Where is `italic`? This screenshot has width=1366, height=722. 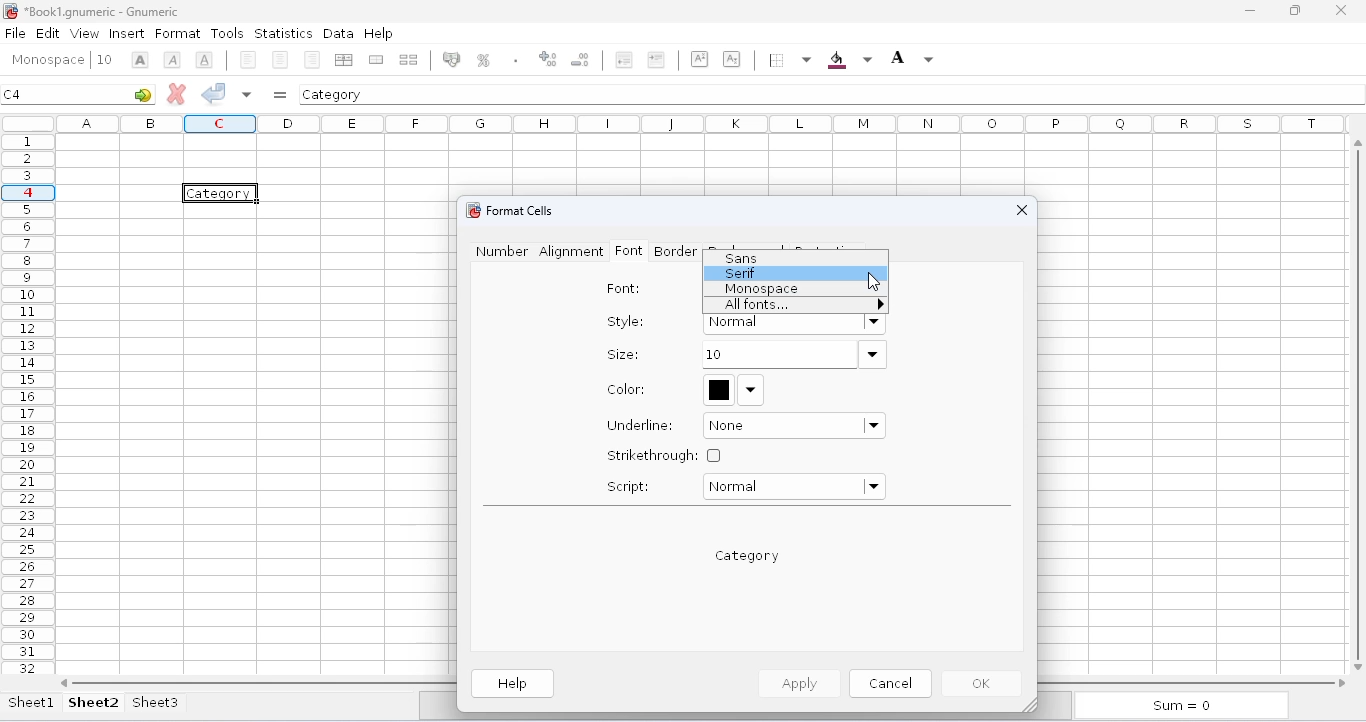 italic is located at coordinates (172, 60).